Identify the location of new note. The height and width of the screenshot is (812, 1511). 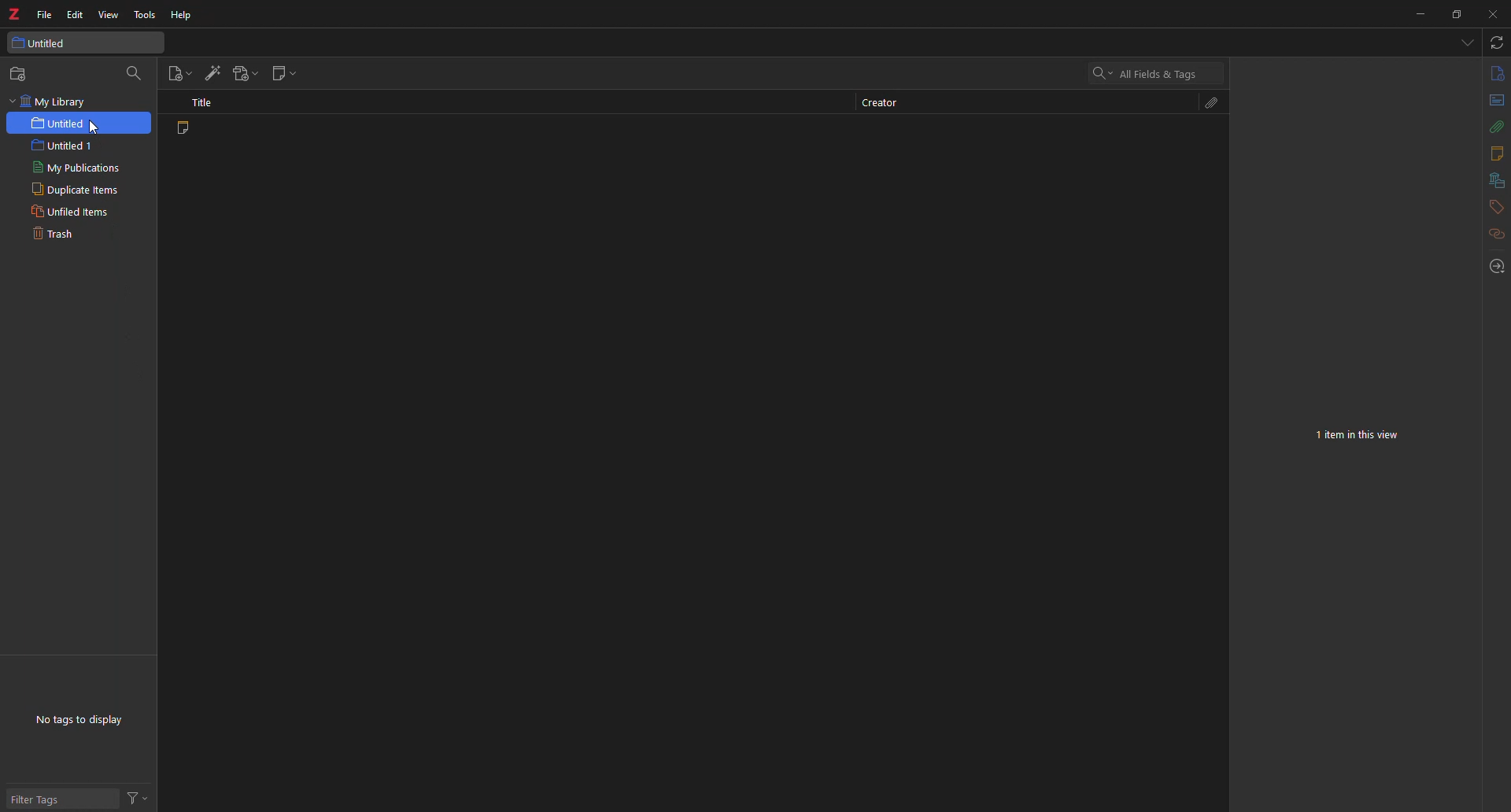
(285, 73).